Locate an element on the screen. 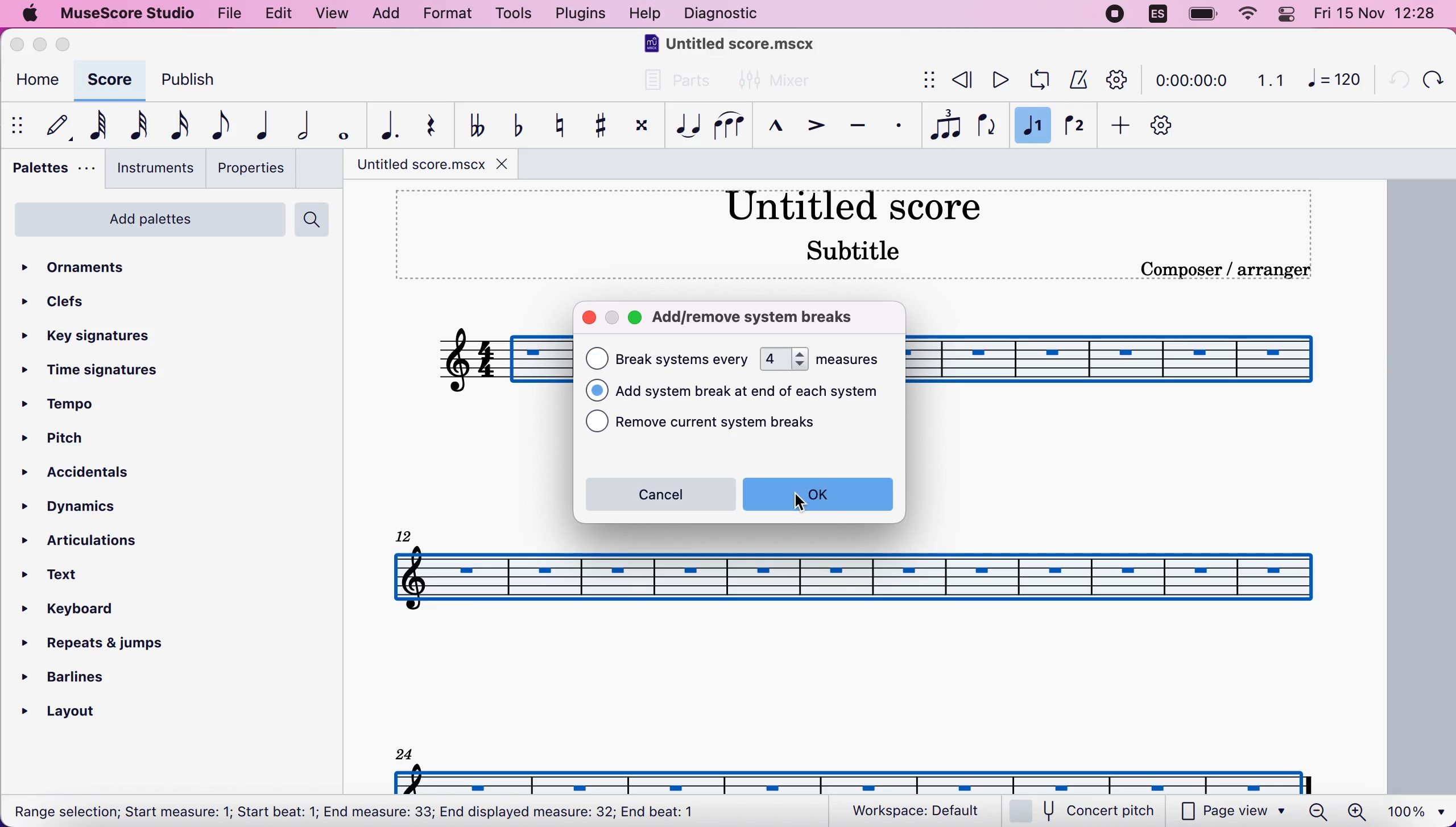 The width and height of the screenshot is (1456, 827). playback loop is located at coordinates (1036, 80).